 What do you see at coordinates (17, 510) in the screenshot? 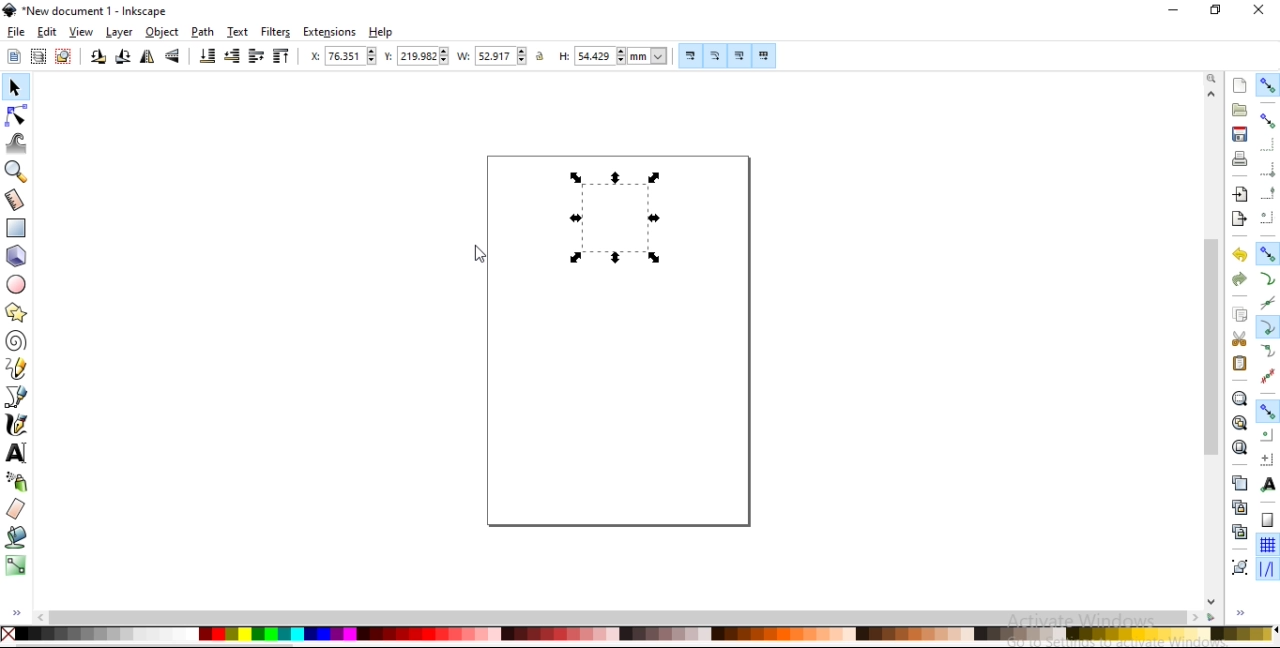
I see `erase existing paths` at bounding box center [17, 510].